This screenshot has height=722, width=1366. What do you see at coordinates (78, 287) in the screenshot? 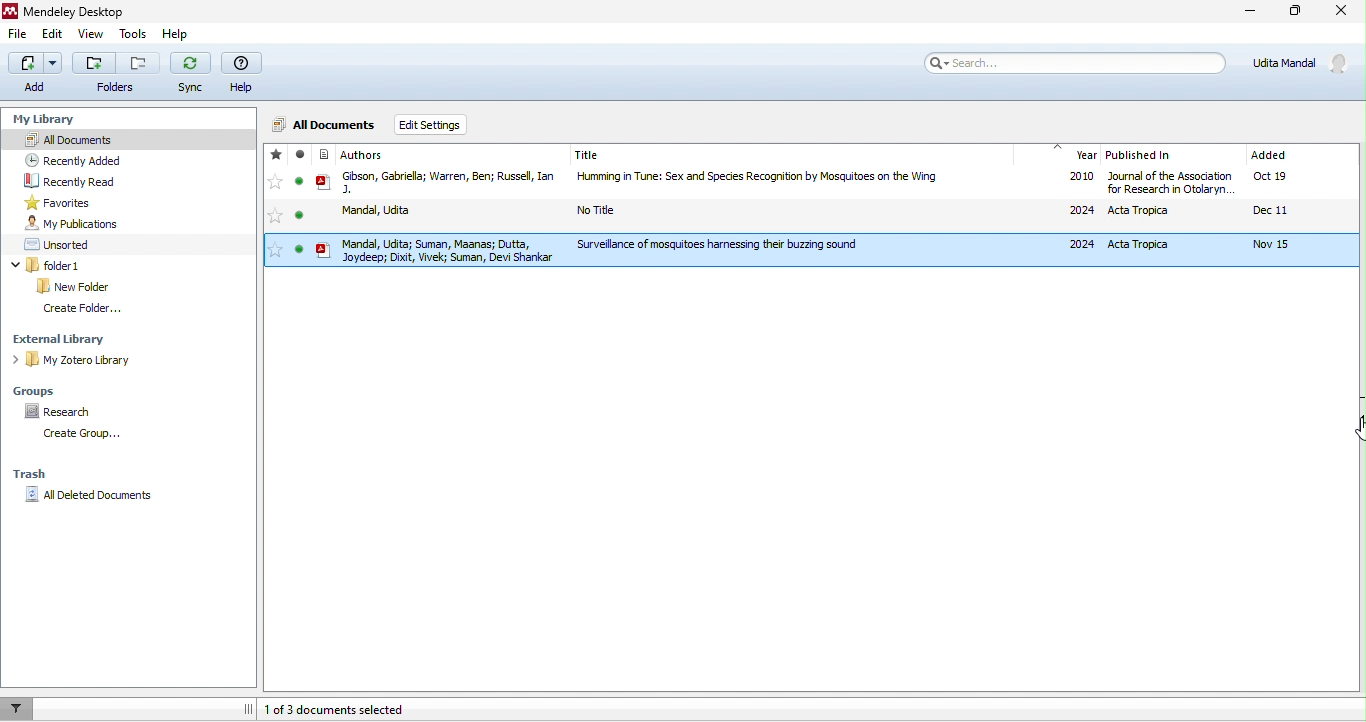
I see `new folder` at bounding box center [78, 287].